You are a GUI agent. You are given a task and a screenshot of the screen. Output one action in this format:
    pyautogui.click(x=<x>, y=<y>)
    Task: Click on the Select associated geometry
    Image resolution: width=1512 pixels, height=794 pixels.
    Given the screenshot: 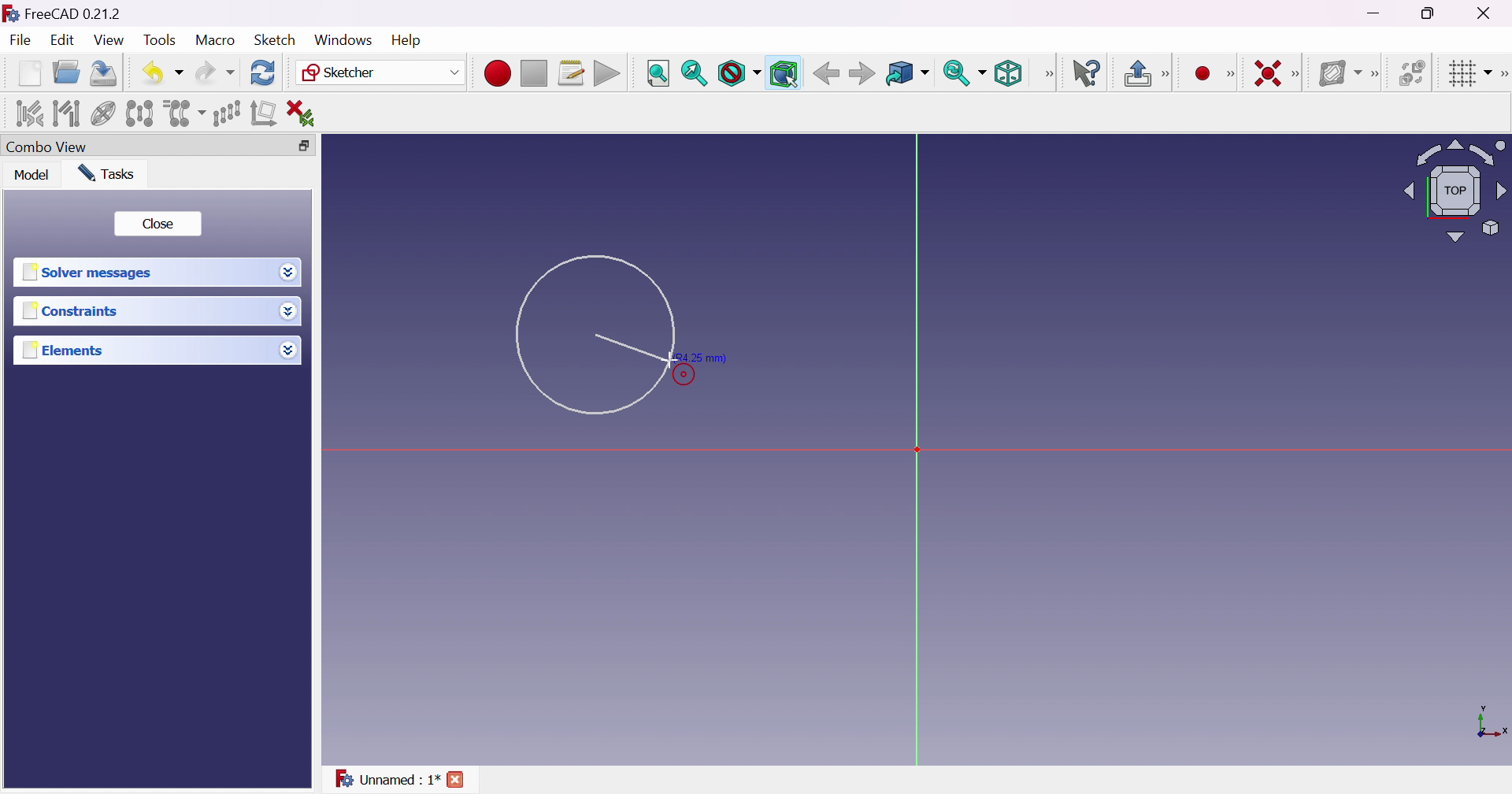 What is the action you would take?
    pyautogui.click(x=67, y=114)
    